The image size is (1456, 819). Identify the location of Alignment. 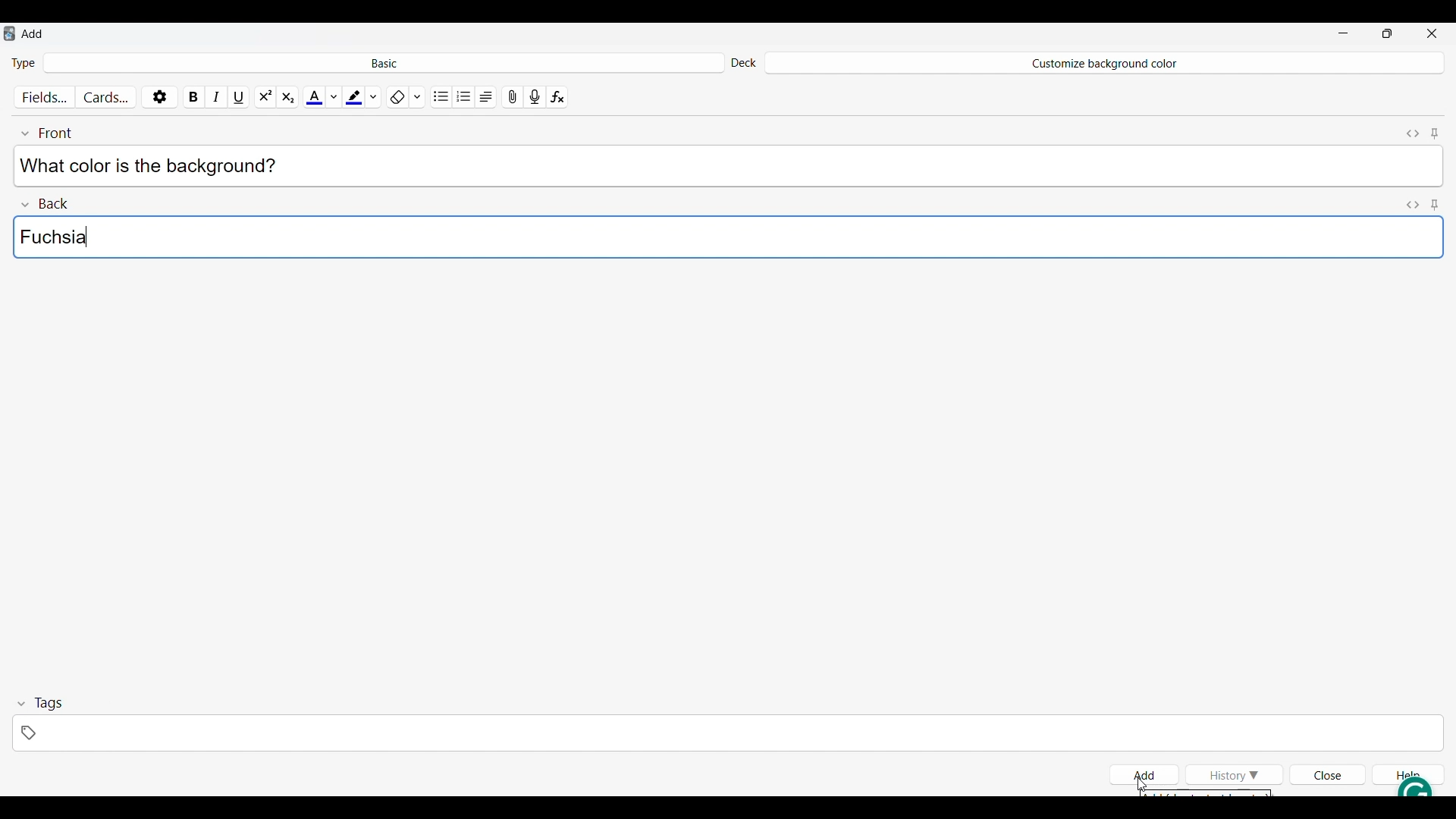
(486, 95).